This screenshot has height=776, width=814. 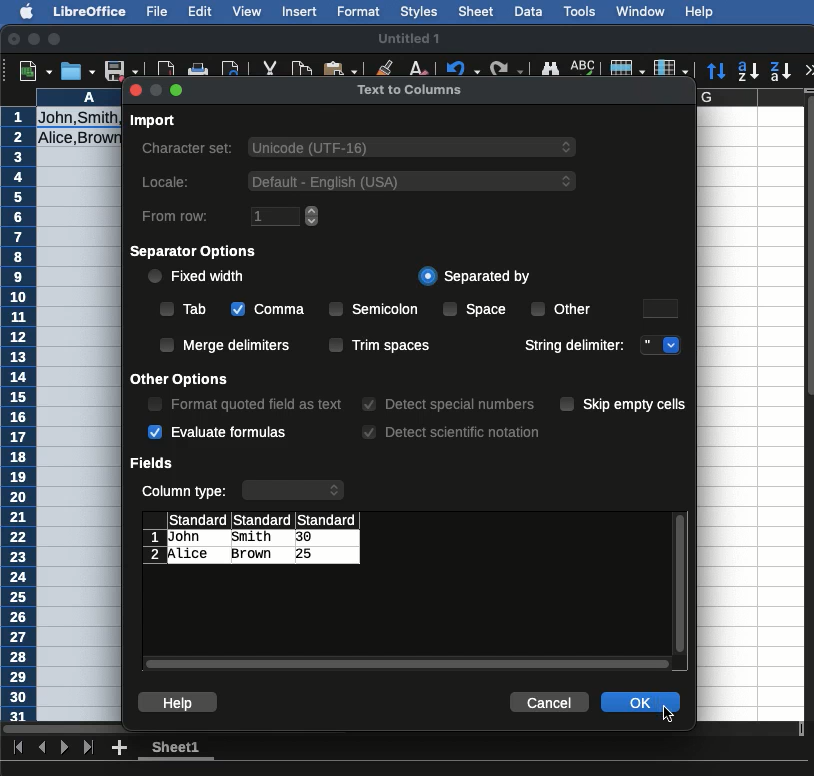 What do you see at coordinates (178, 91) in the screenshot?
I see `maximize` at bounding box center [178, 91].